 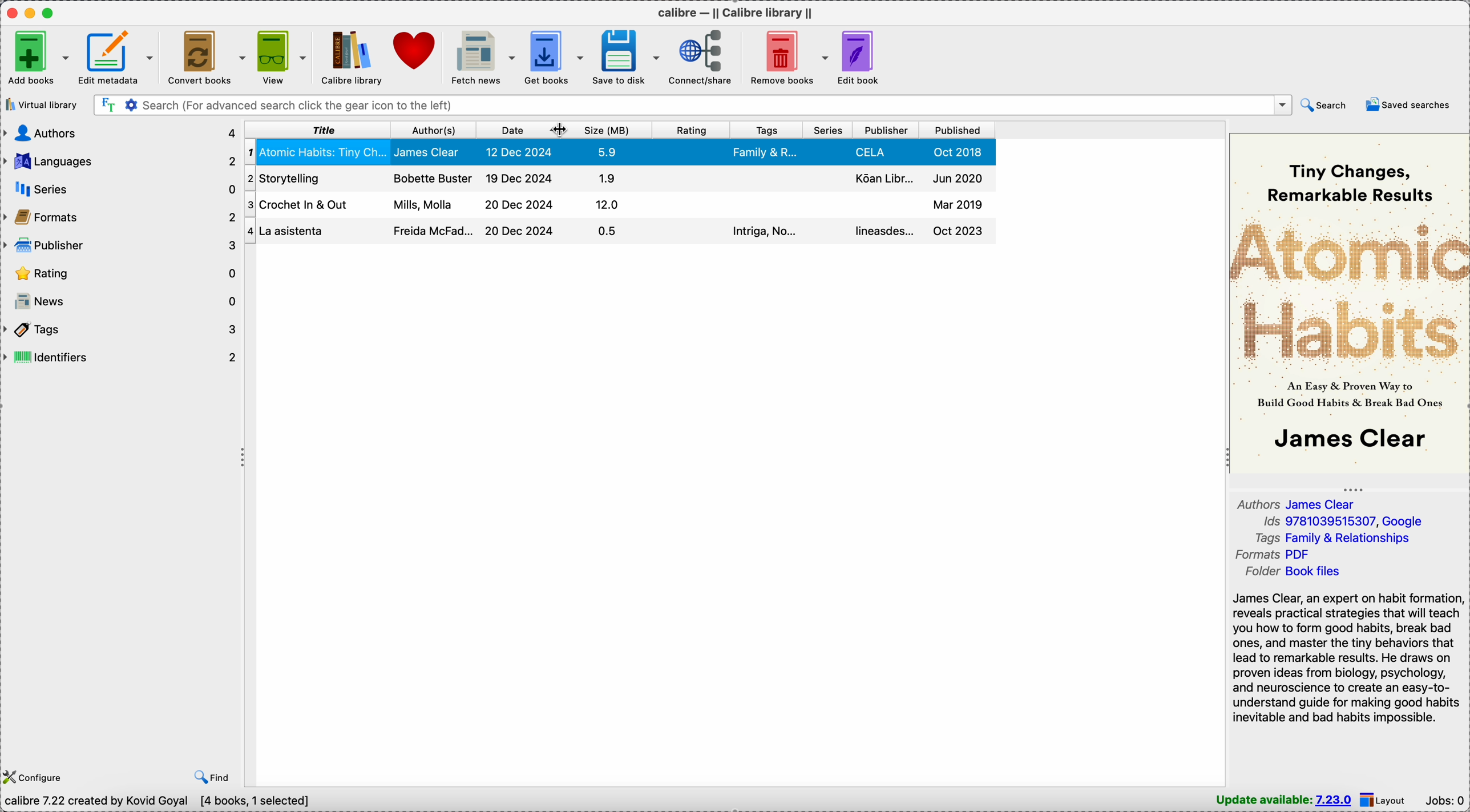 What do you see at coordinates (41, 106) in the screenshot?
I see `virtual library` at bounding box center [41, 106].